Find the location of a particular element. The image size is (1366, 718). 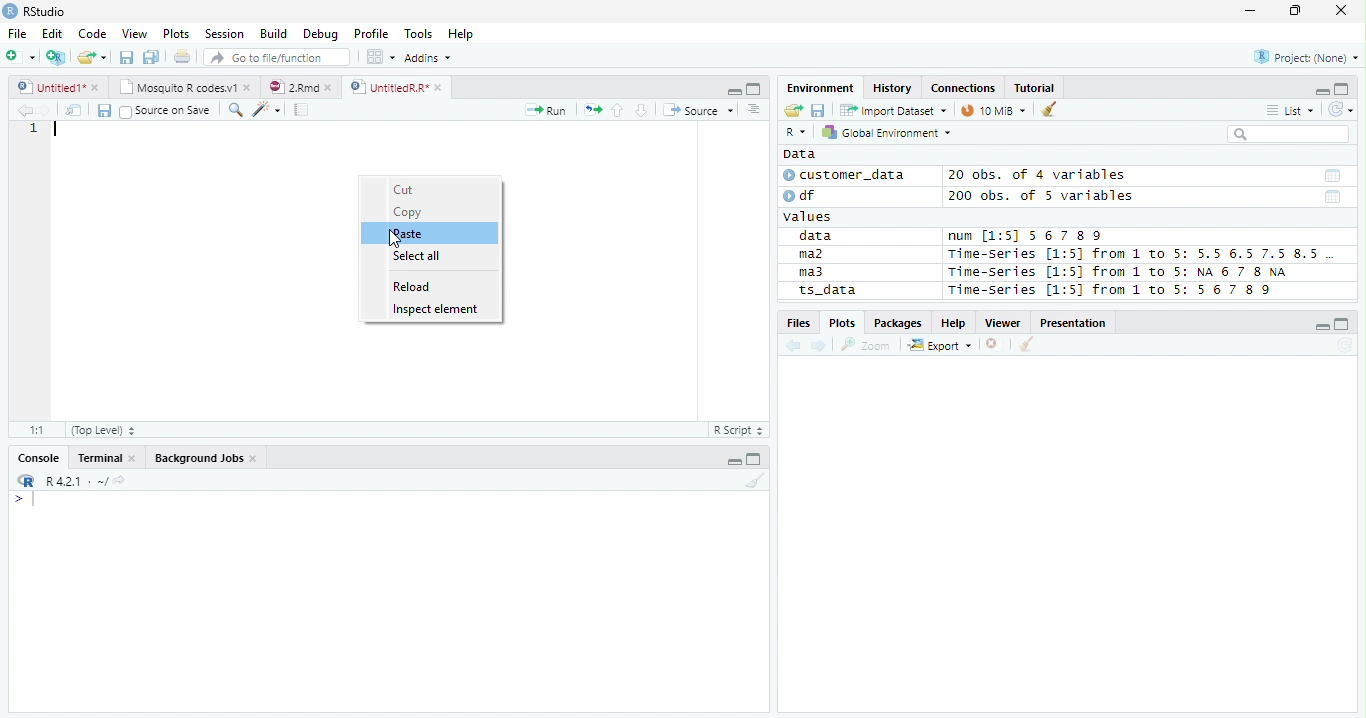

Minimize is located at coordinates (735, 459).